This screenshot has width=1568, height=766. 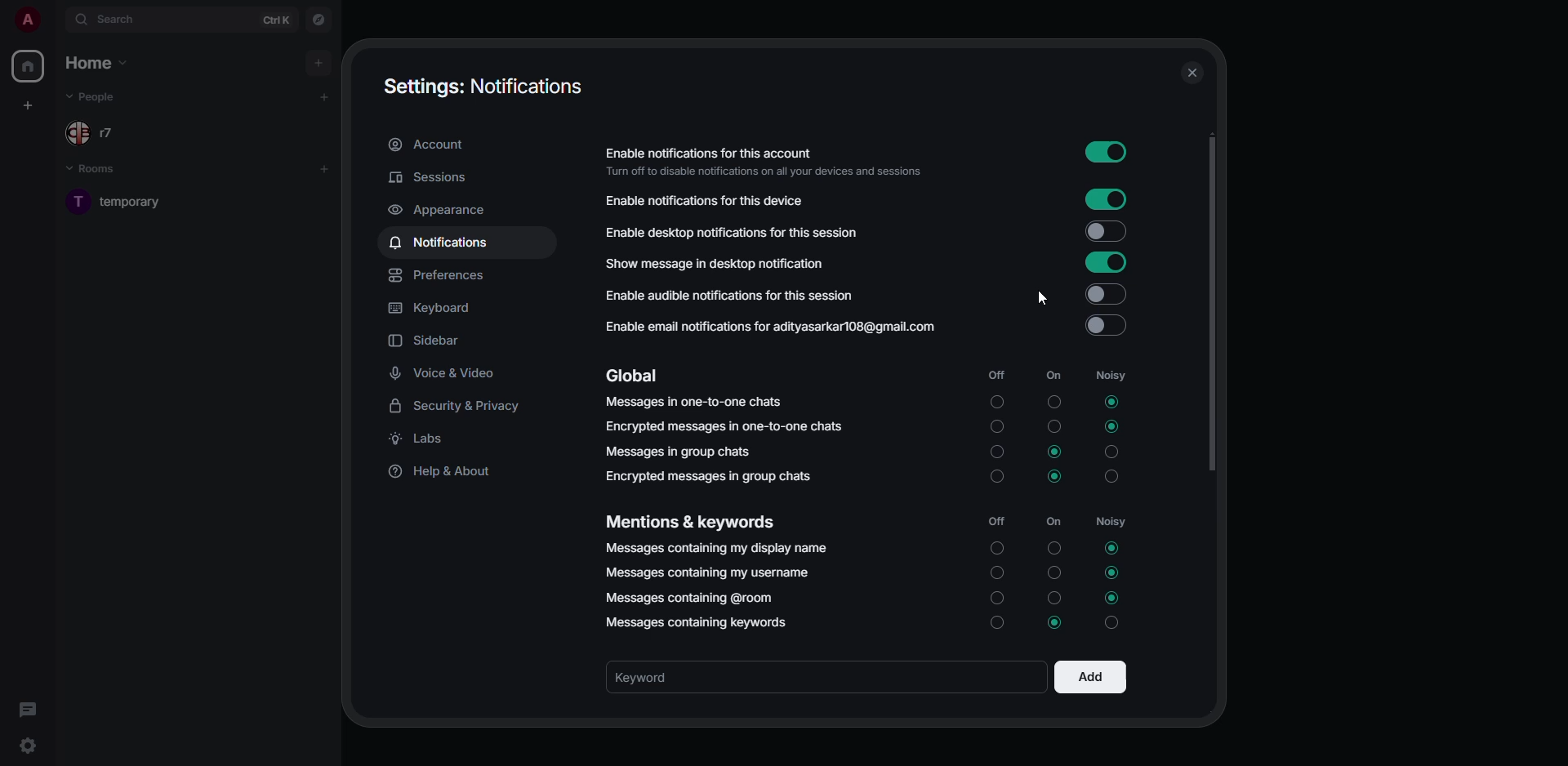 What do you see at coordinates (689, 522) in the screenshot?
I see `mentions & keywords` at bounding box center [689, 522].